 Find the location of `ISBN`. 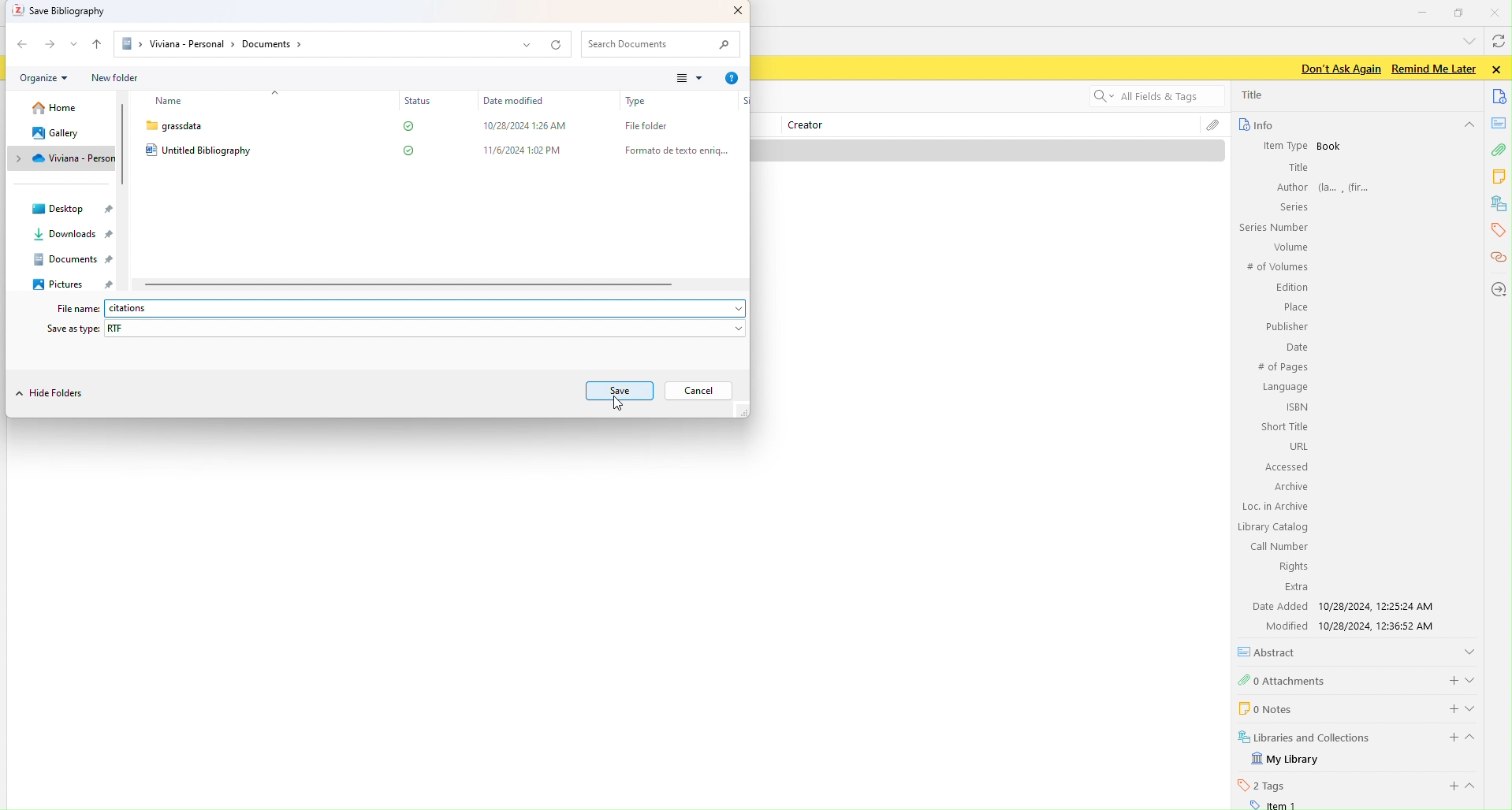

ISBN is located at coordinates (1298, 407).